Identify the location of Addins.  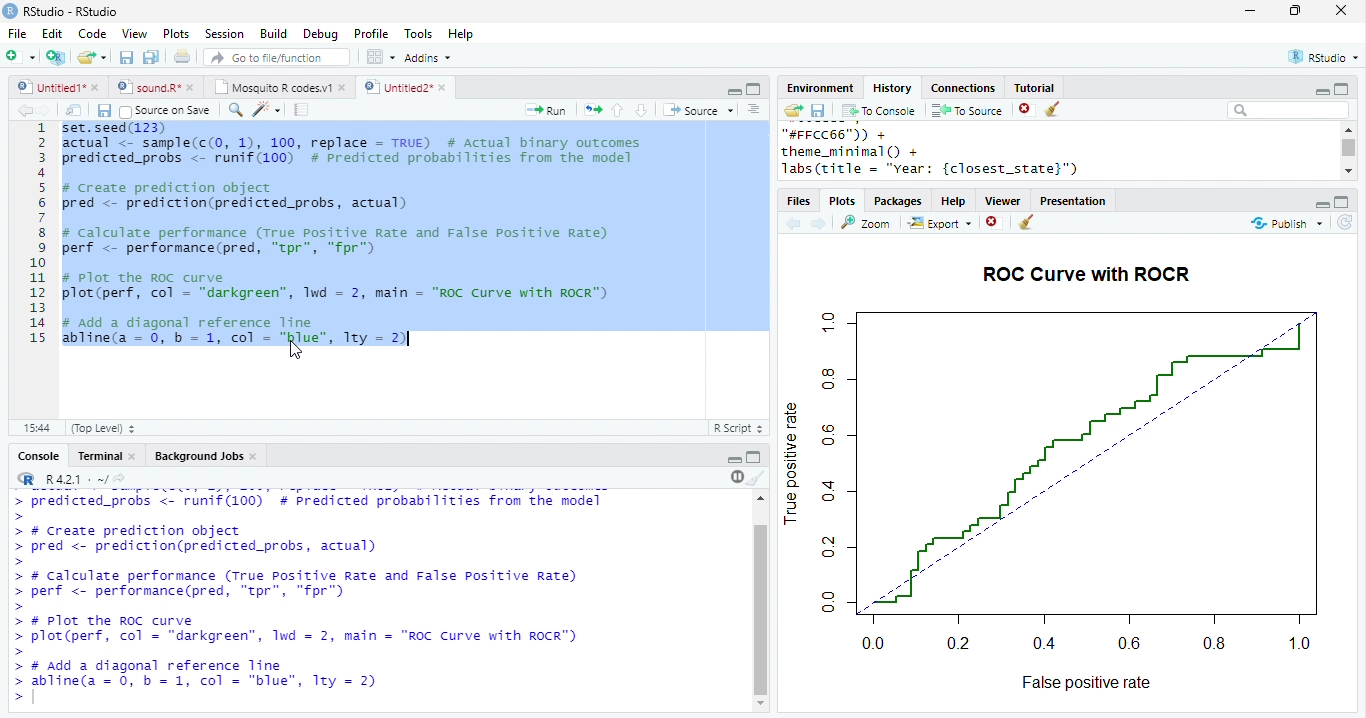
(428, 58).